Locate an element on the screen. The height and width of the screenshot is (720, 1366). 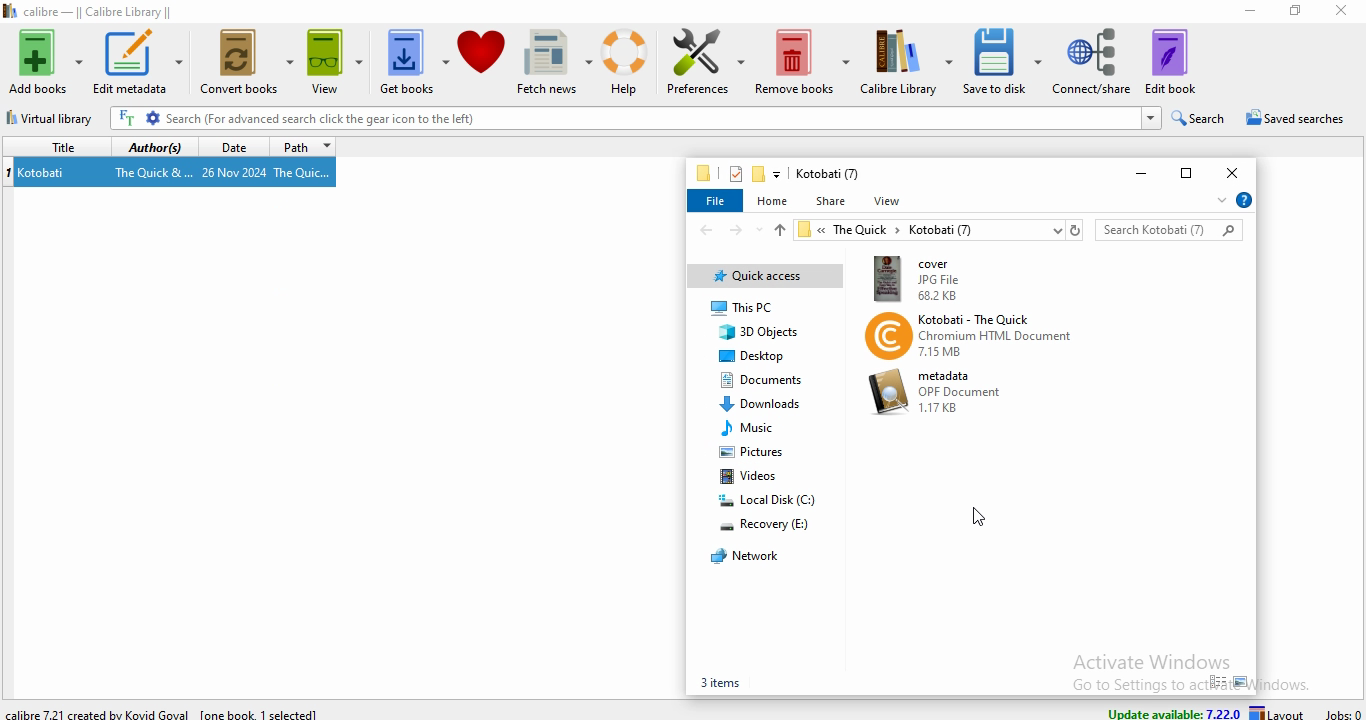
jobs: 0 is located at coordinates (1343, 711).